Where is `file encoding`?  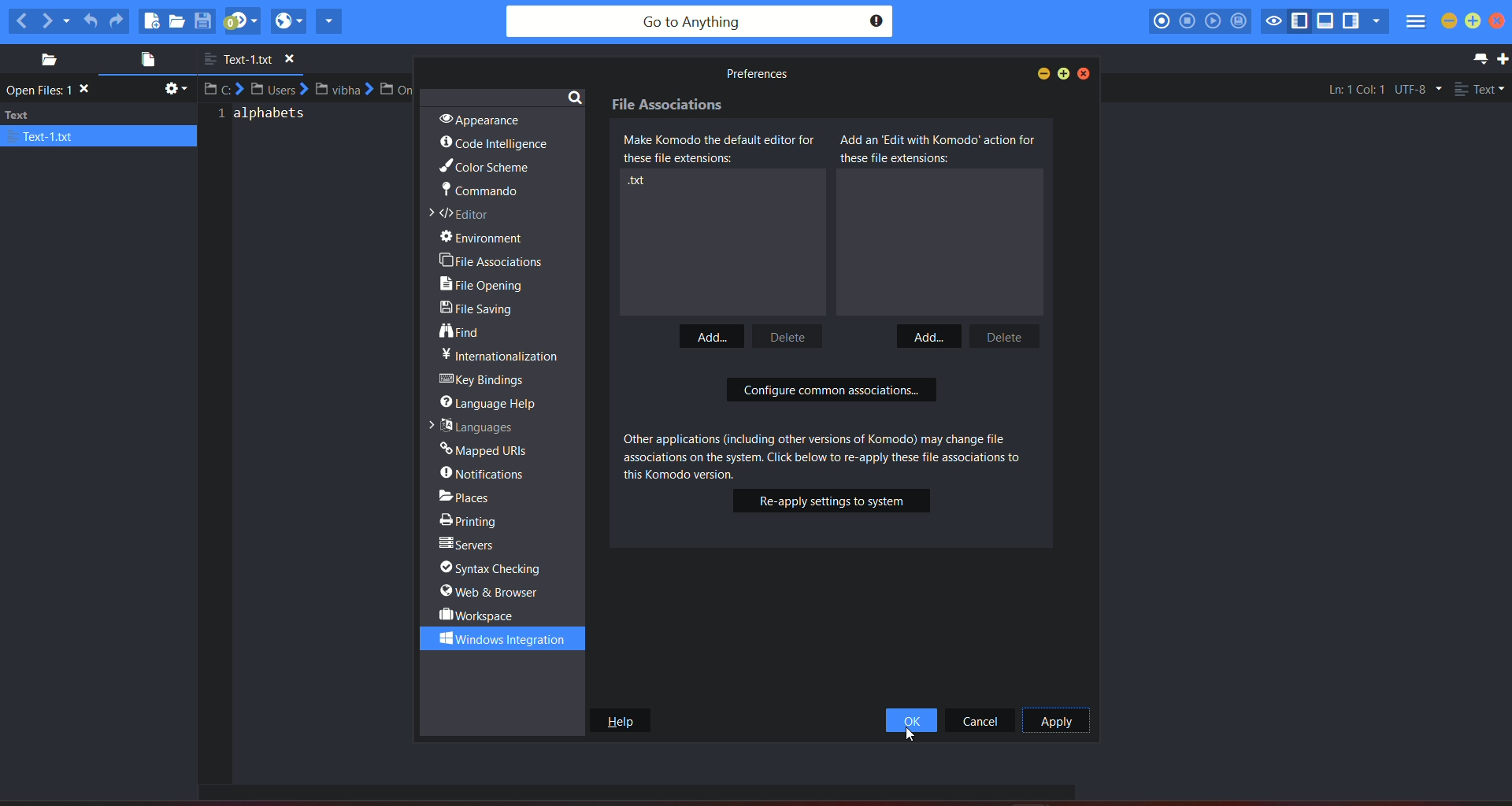 file encoding is located at coordinates (1417, 89).